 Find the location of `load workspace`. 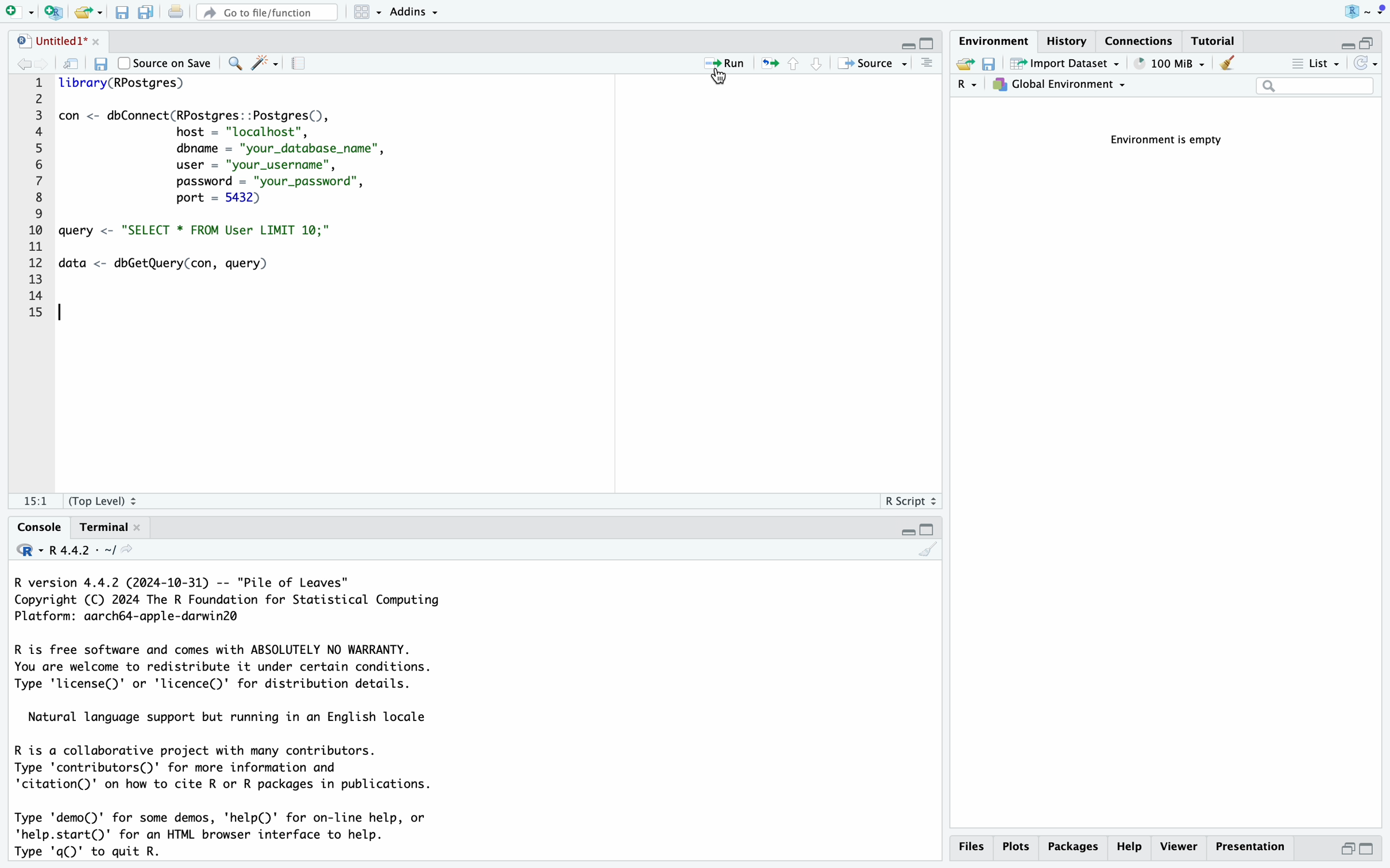

load workspace is located at coordinates (964, 65).